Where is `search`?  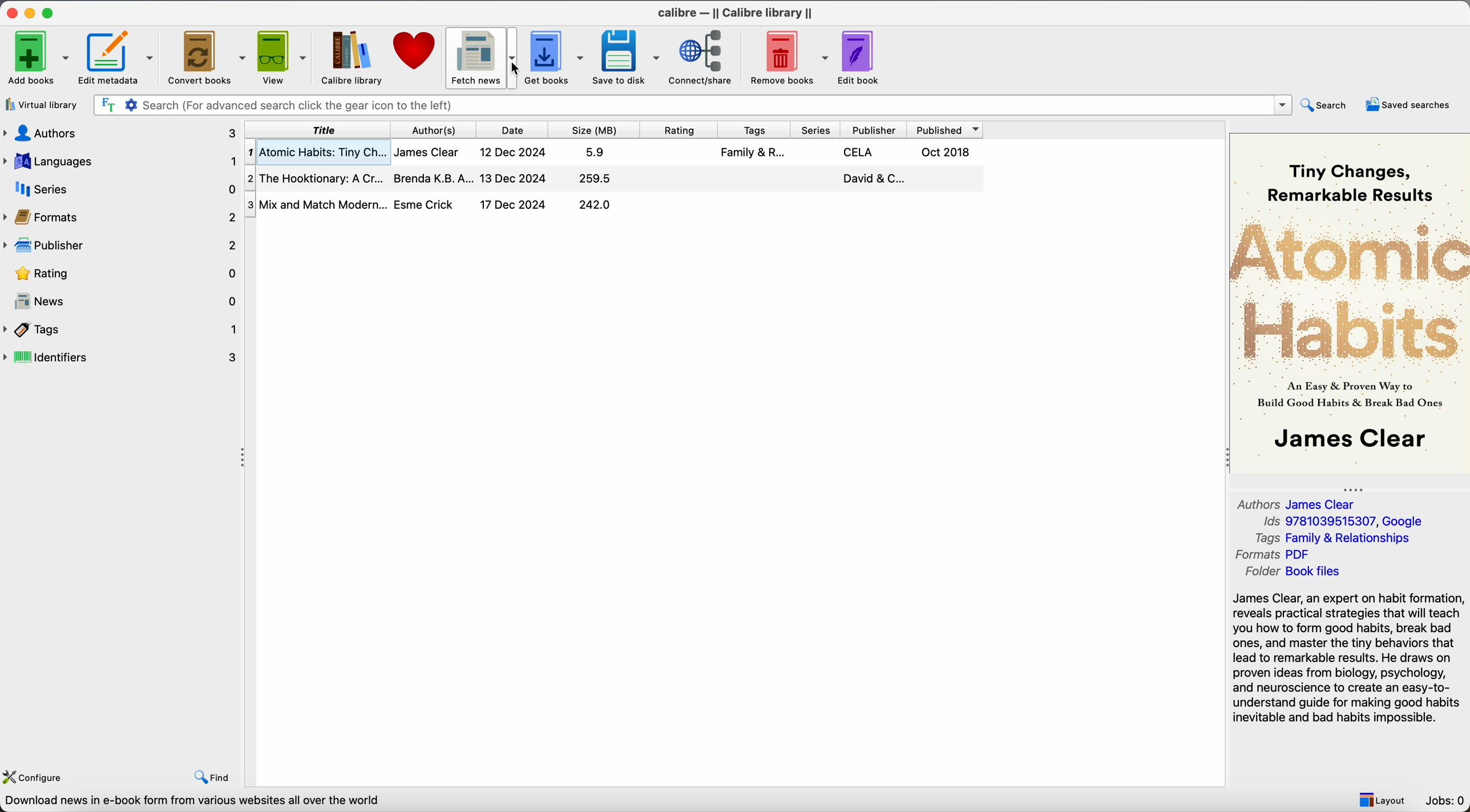
search is located at coordinates (1326, 106).